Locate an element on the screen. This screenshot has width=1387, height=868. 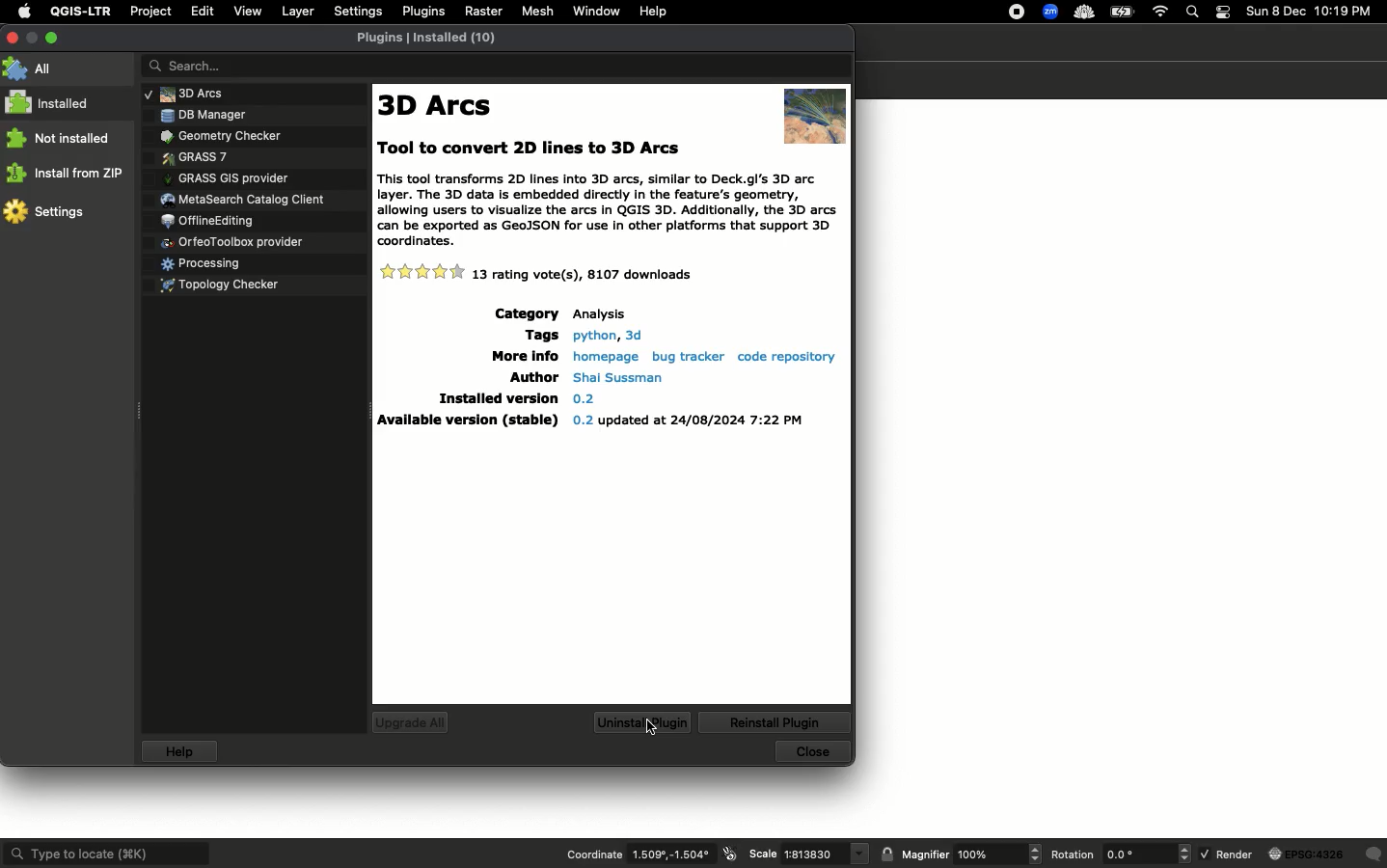
Help is located at coordinates (655, 10).